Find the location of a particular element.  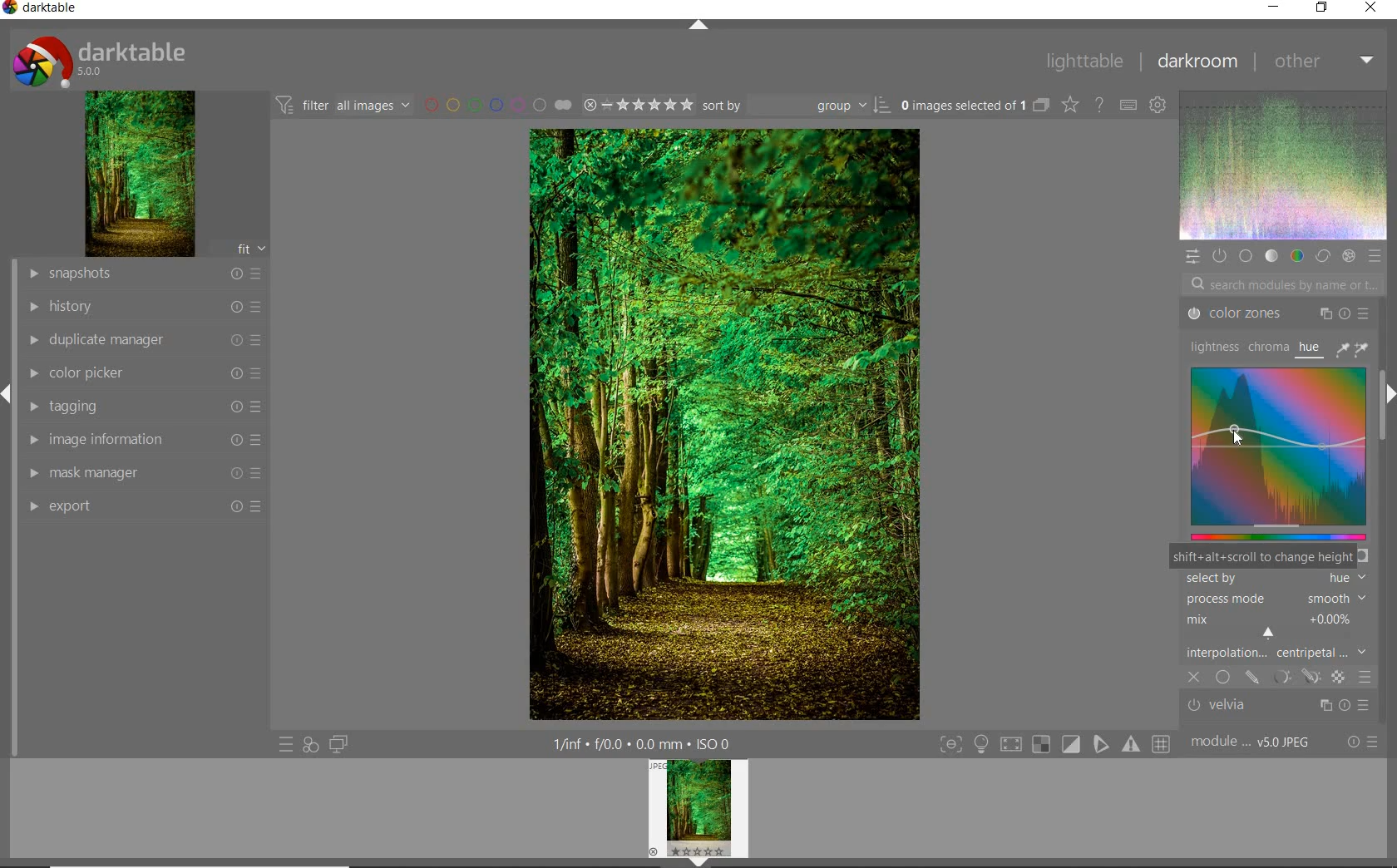

lightness is located at coordinates (1212, 348).